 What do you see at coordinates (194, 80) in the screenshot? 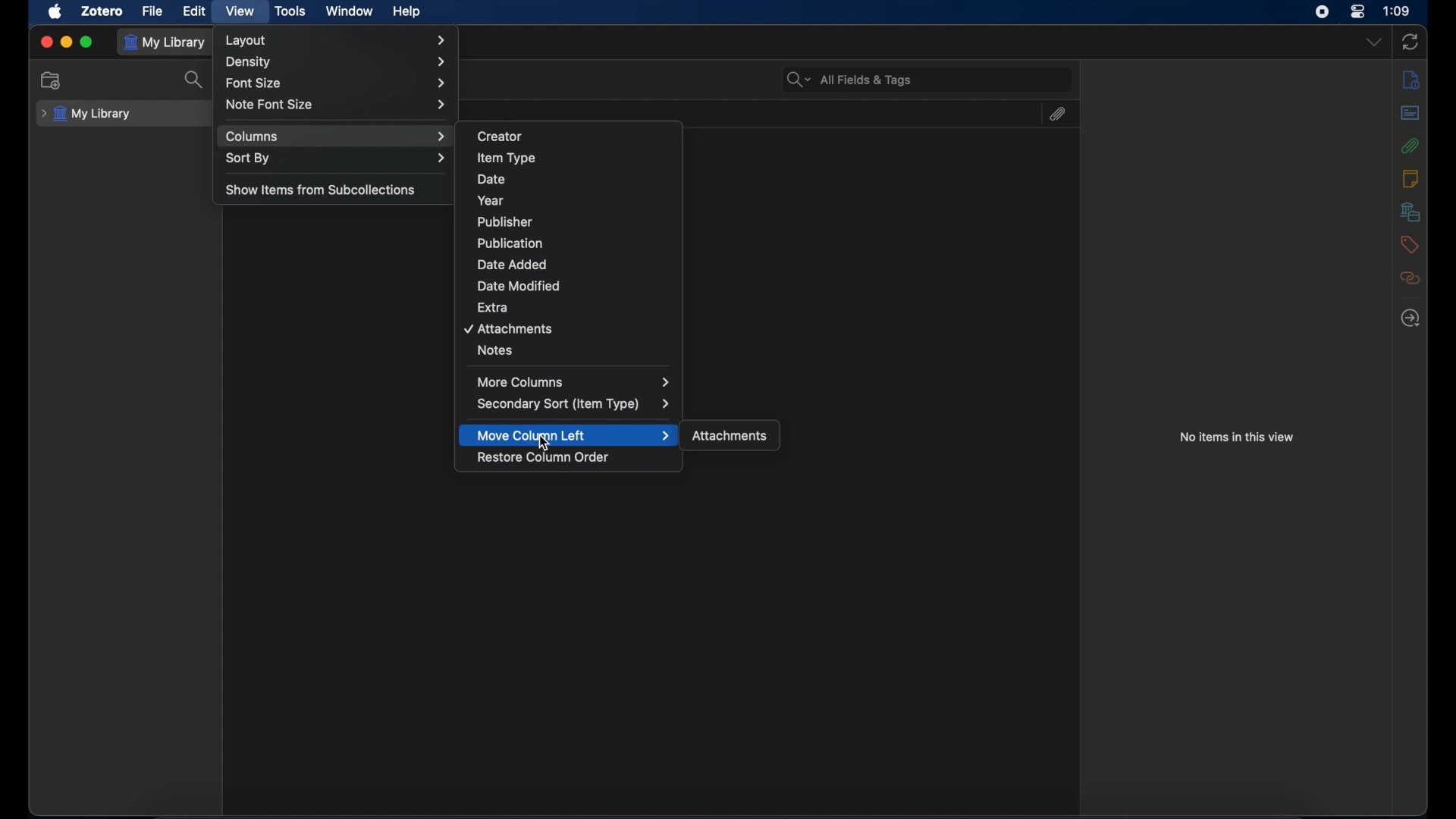
I see `search` at bounding box center [194, 80].